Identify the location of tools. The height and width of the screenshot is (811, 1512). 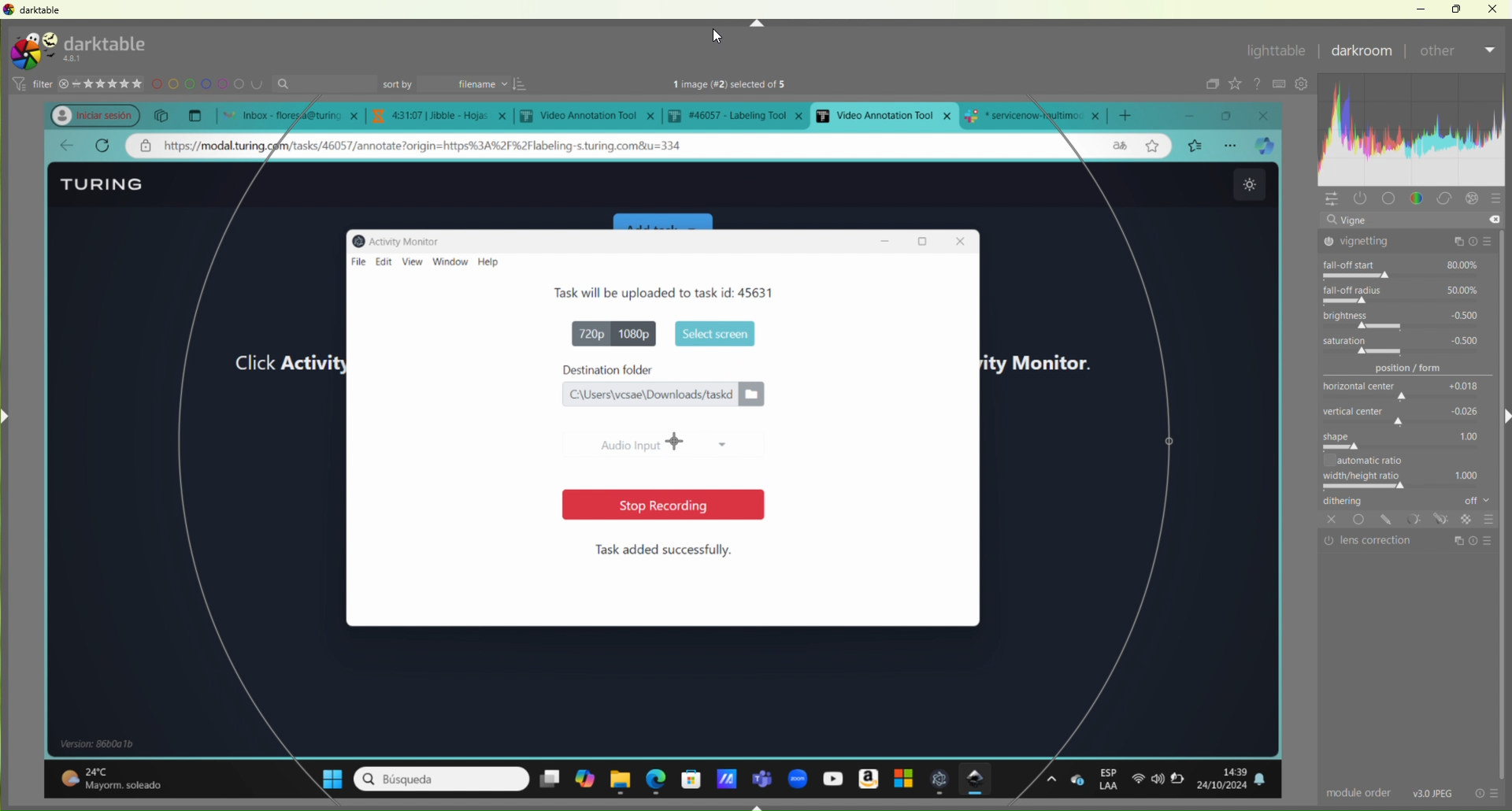
(1395, 520).